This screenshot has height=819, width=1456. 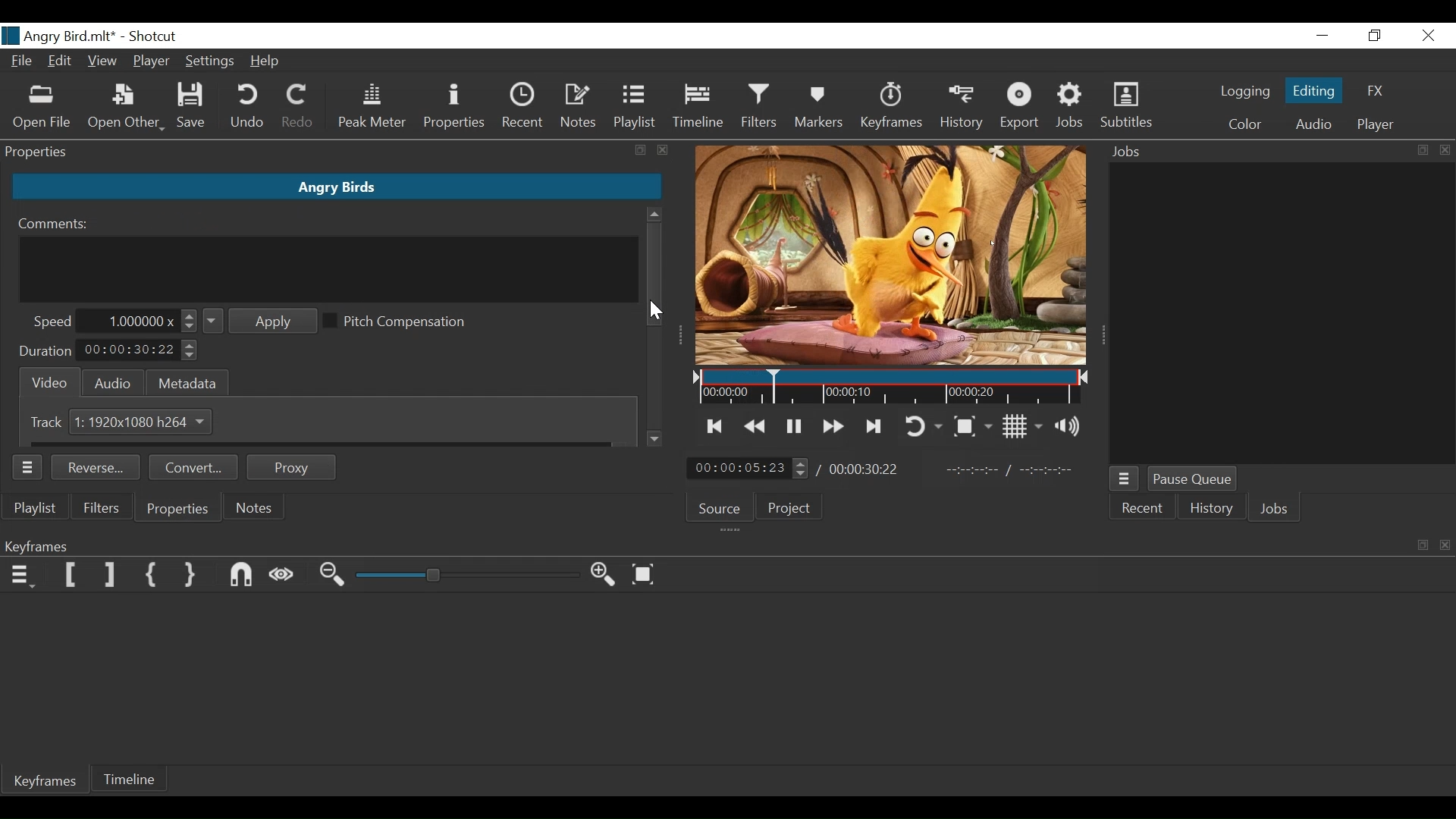 I want to click on Marker, so click(x=822, y=108).